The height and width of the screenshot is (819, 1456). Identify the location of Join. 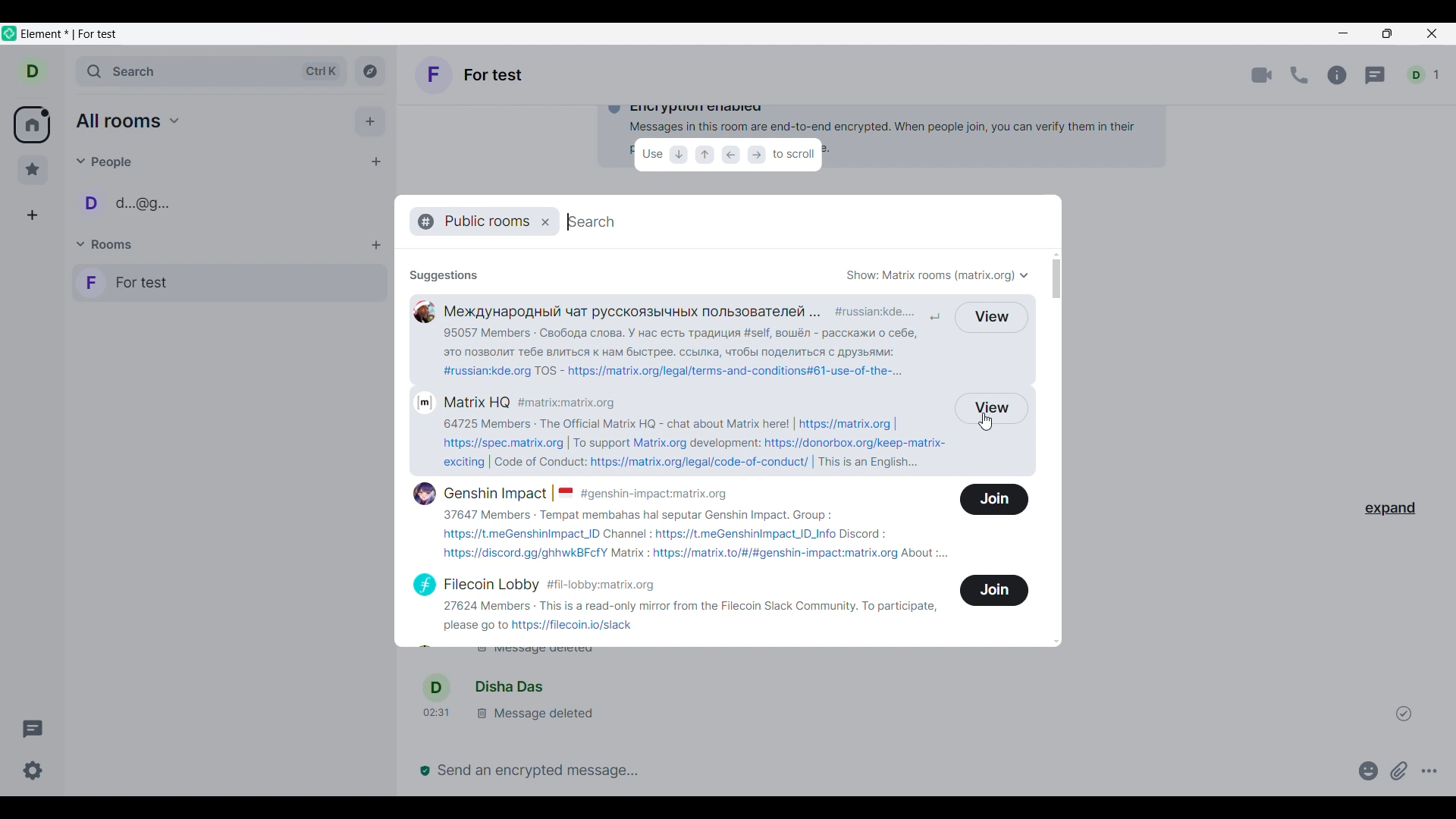
(995, 501).